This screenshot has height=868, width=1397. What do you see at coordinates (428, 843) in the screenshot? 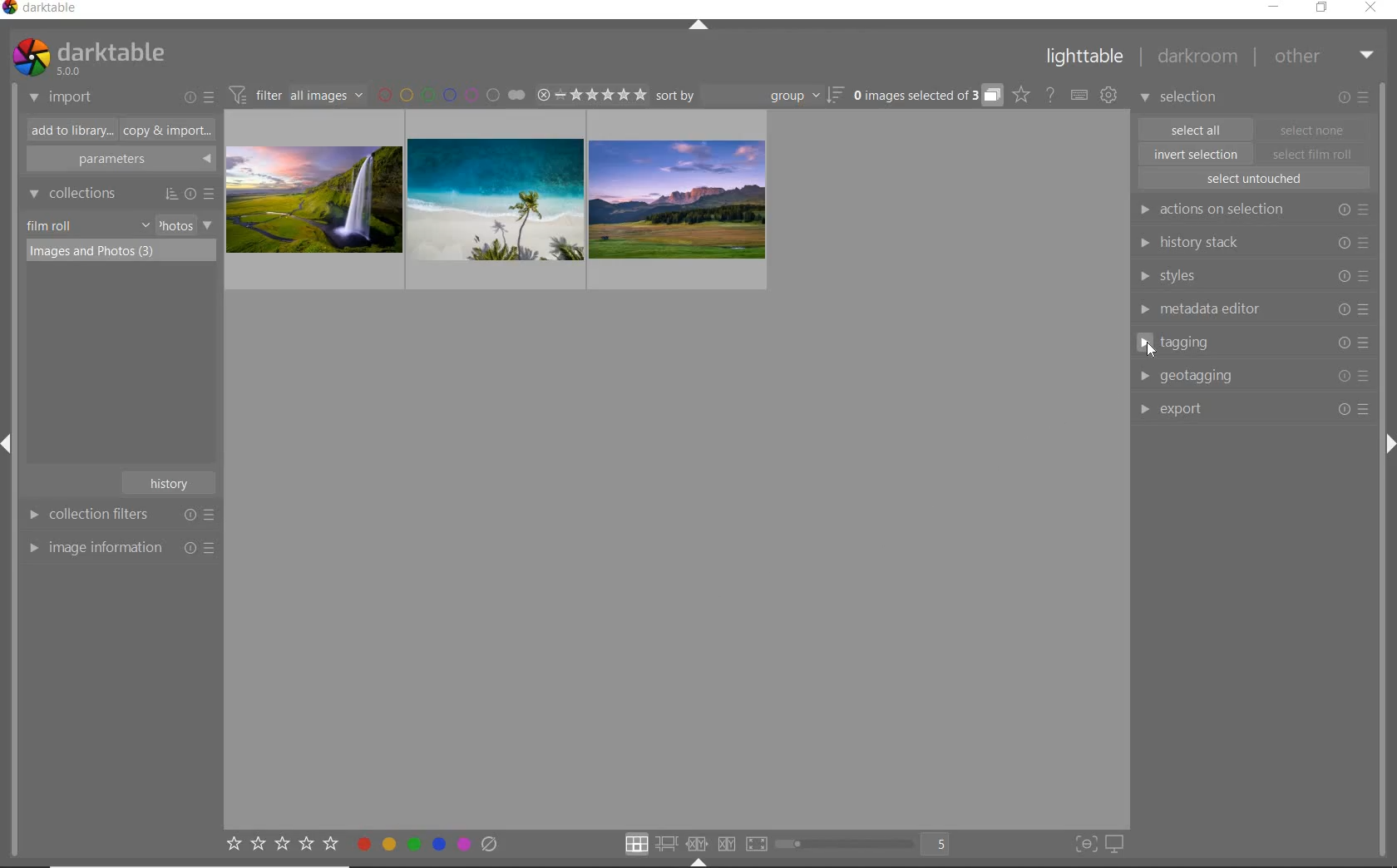
I see `toggle color label of selected images` at bounding box center [428, 843].